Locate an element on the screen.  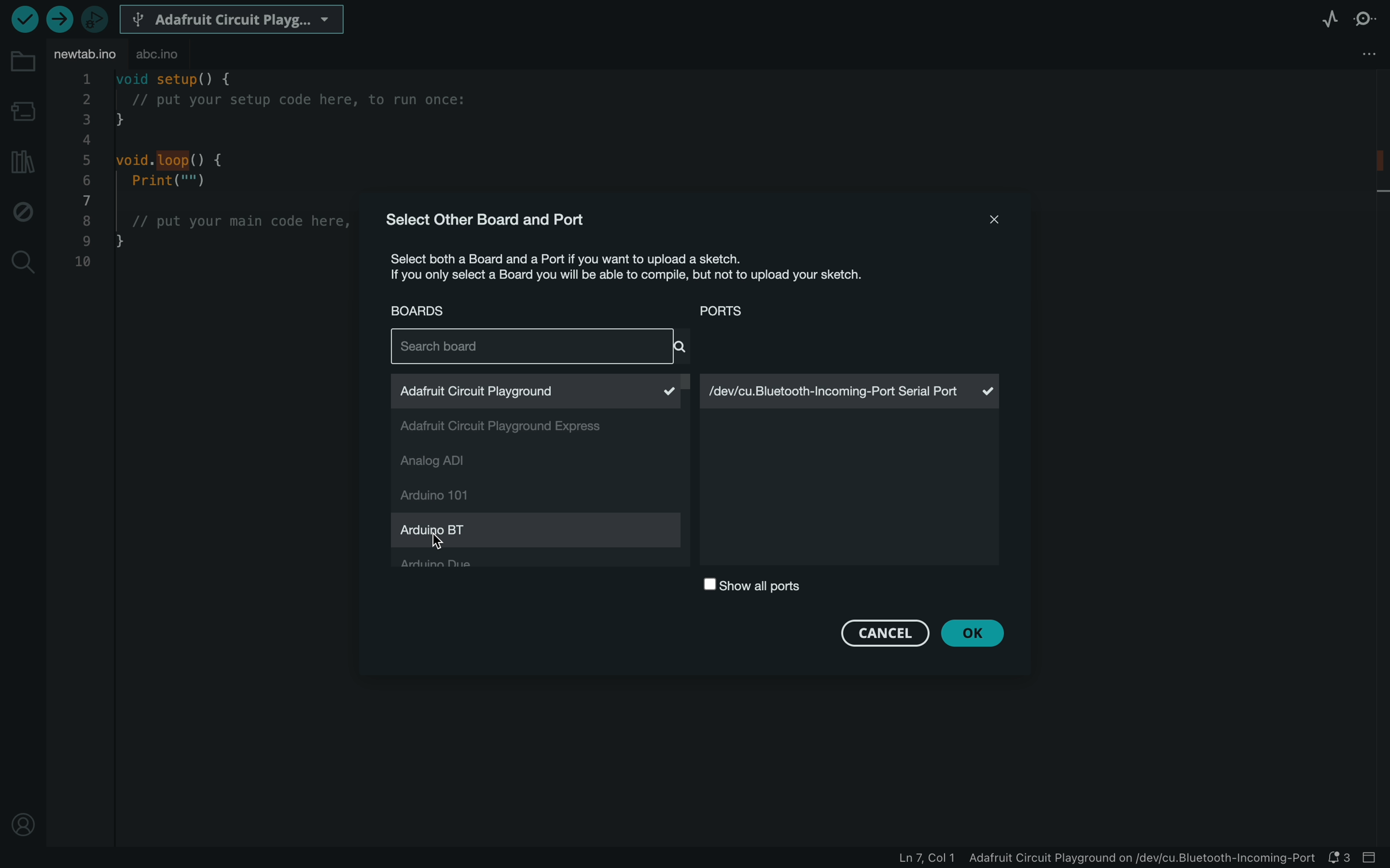
verify is located at coordinates (23, 22).